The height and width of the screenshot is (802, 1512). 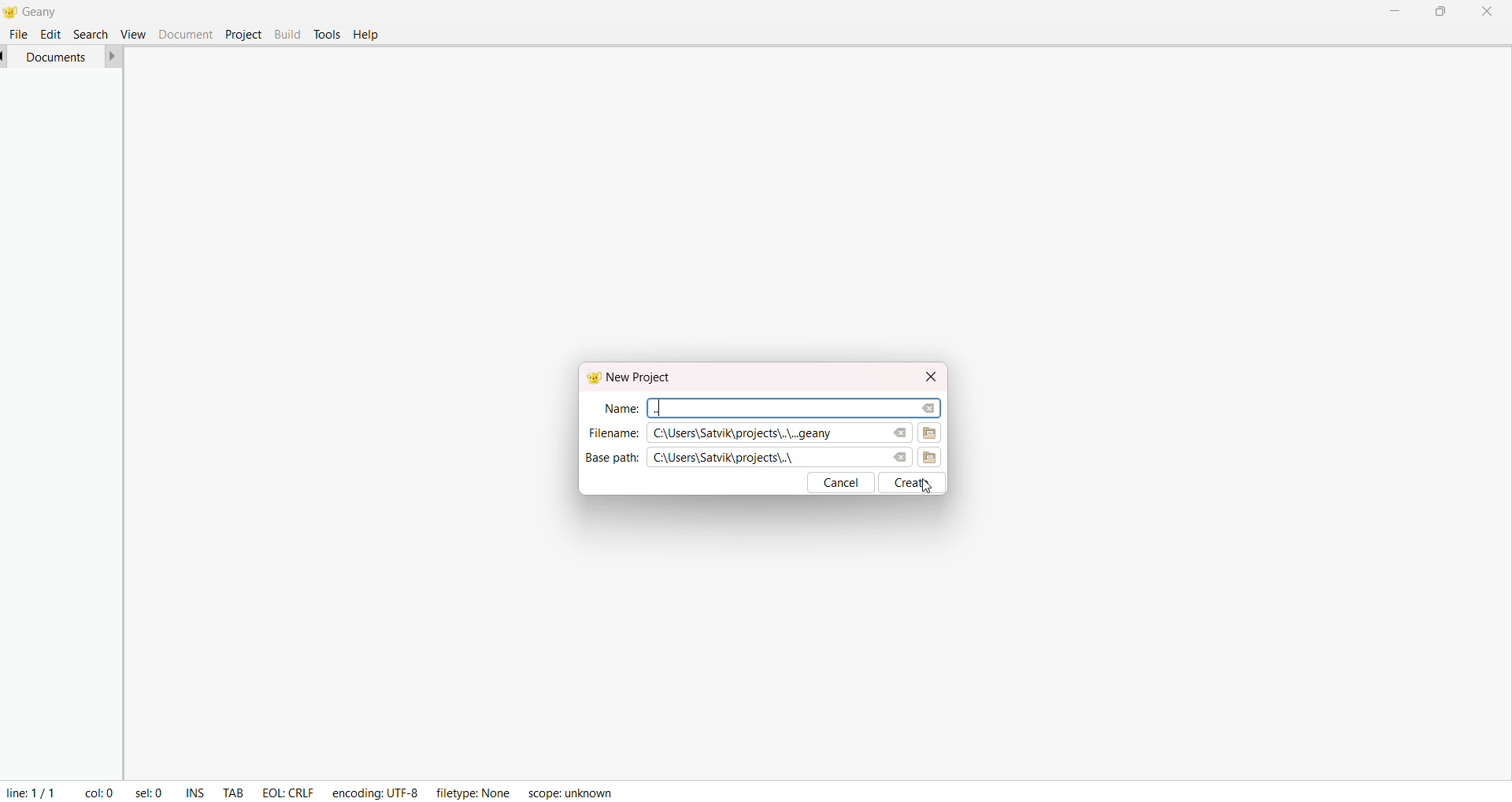 What do you see at coordinates (57, 423) in the screenshot?
I see `project manager` at bounding box center [57, 423].